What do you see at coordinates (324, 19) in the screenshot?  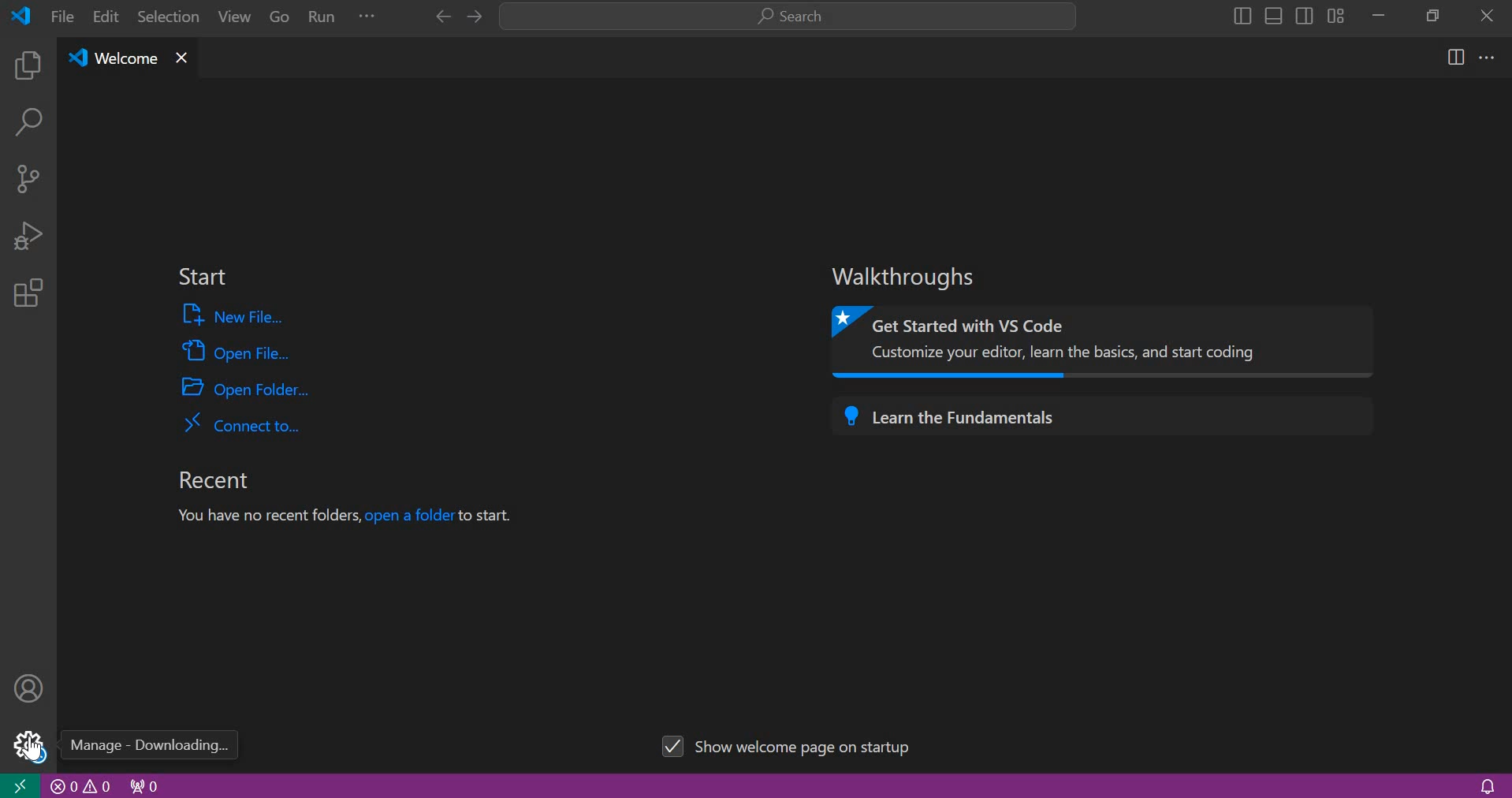 I see `run` at bounding box center [324, 19].